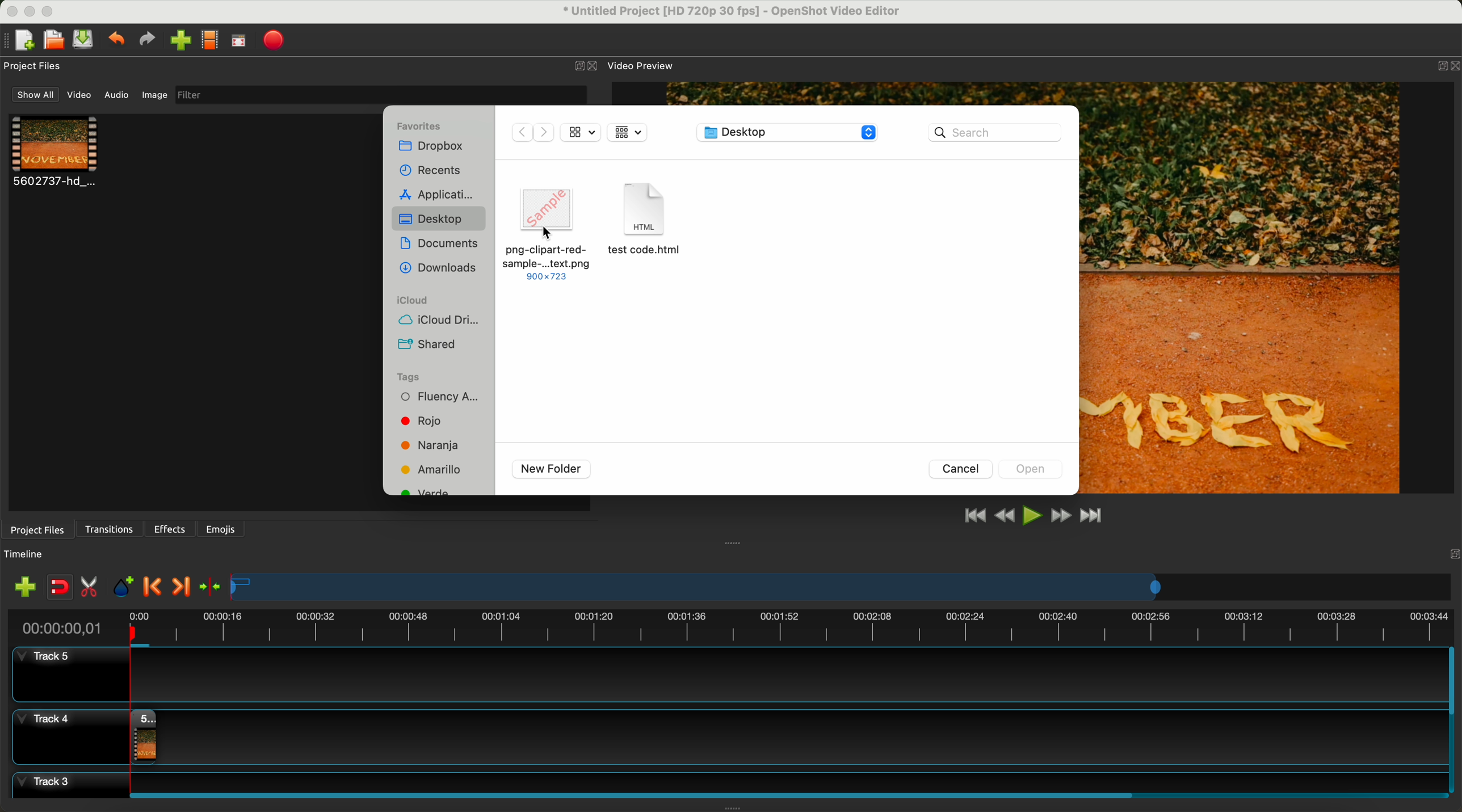 The image size is (1462, 812). What do you see at coordinates (118, 41) in the screenshot?
I see `undo` at bounding box center [118, 41].